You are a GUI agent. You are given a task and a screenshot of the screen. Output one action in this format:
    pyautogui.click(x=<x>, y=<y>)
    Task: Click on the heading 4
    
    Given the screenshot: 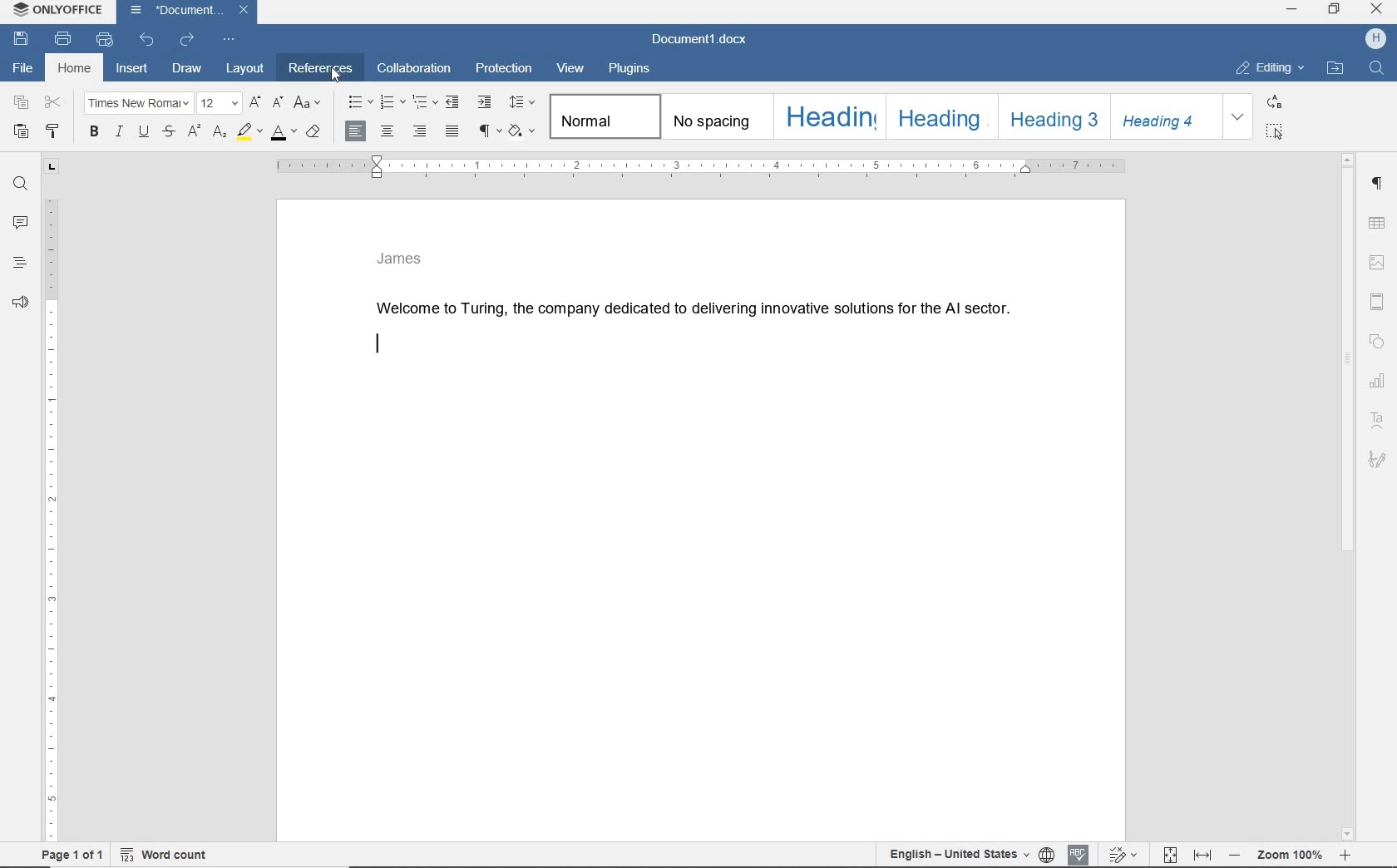 What is the action you would take?
    pyautogui.click(x=1166, y=117)
    